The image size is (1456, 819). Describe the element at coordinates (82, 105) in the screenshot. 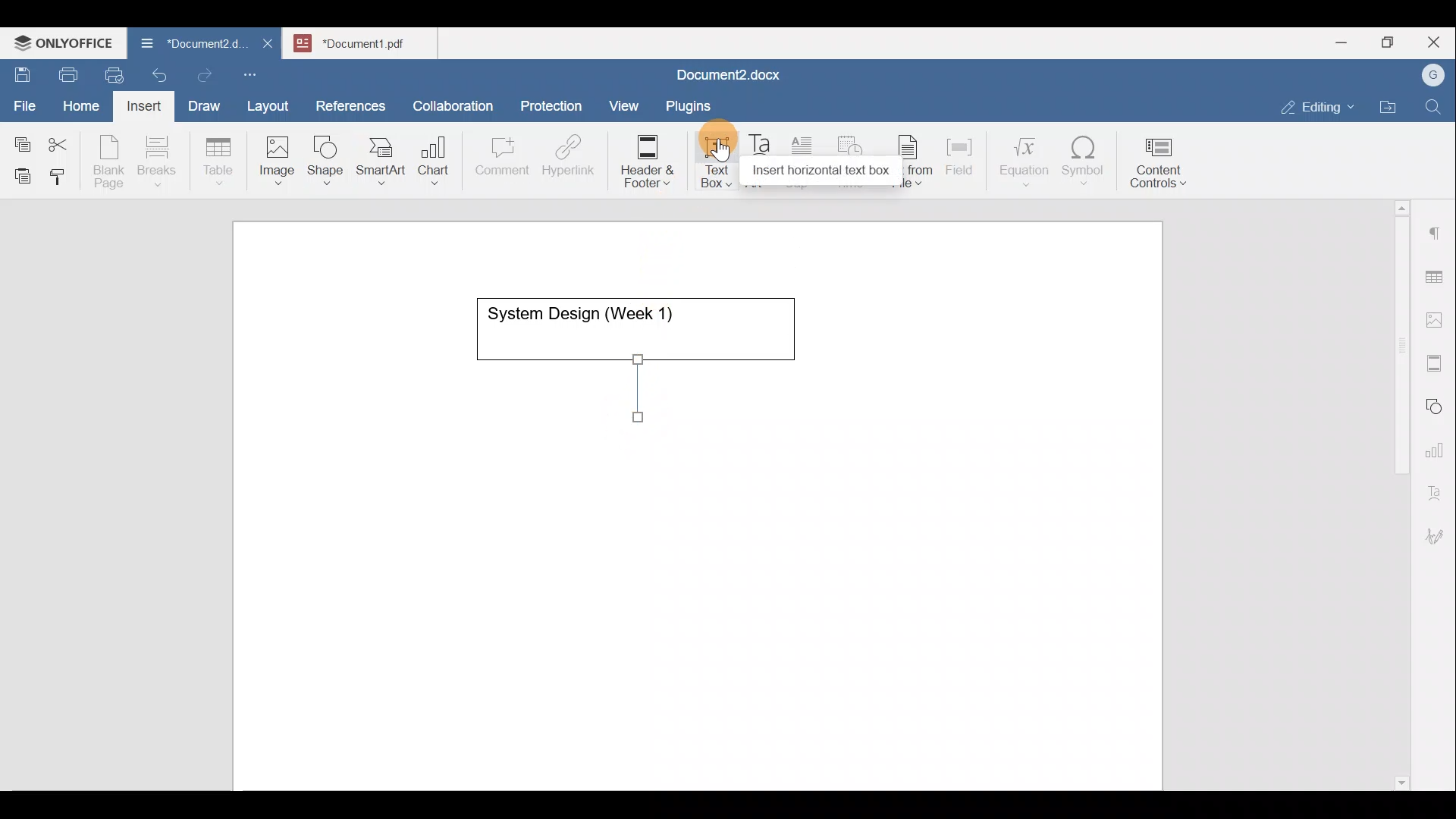

I see `Home` at that location.